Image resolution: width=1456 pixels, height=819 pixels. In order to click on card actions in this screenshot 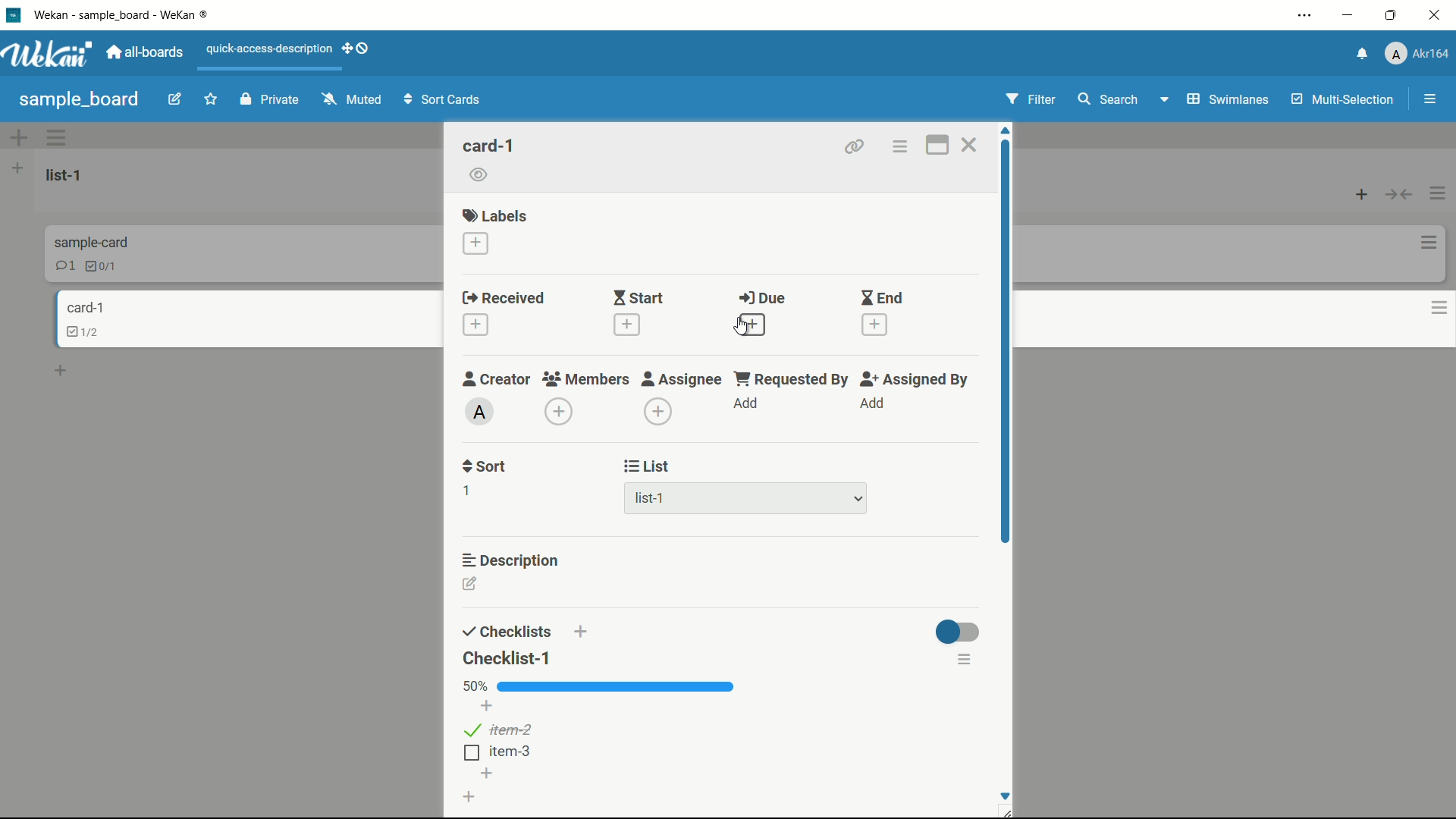, I will do `click(1427, 241)`.